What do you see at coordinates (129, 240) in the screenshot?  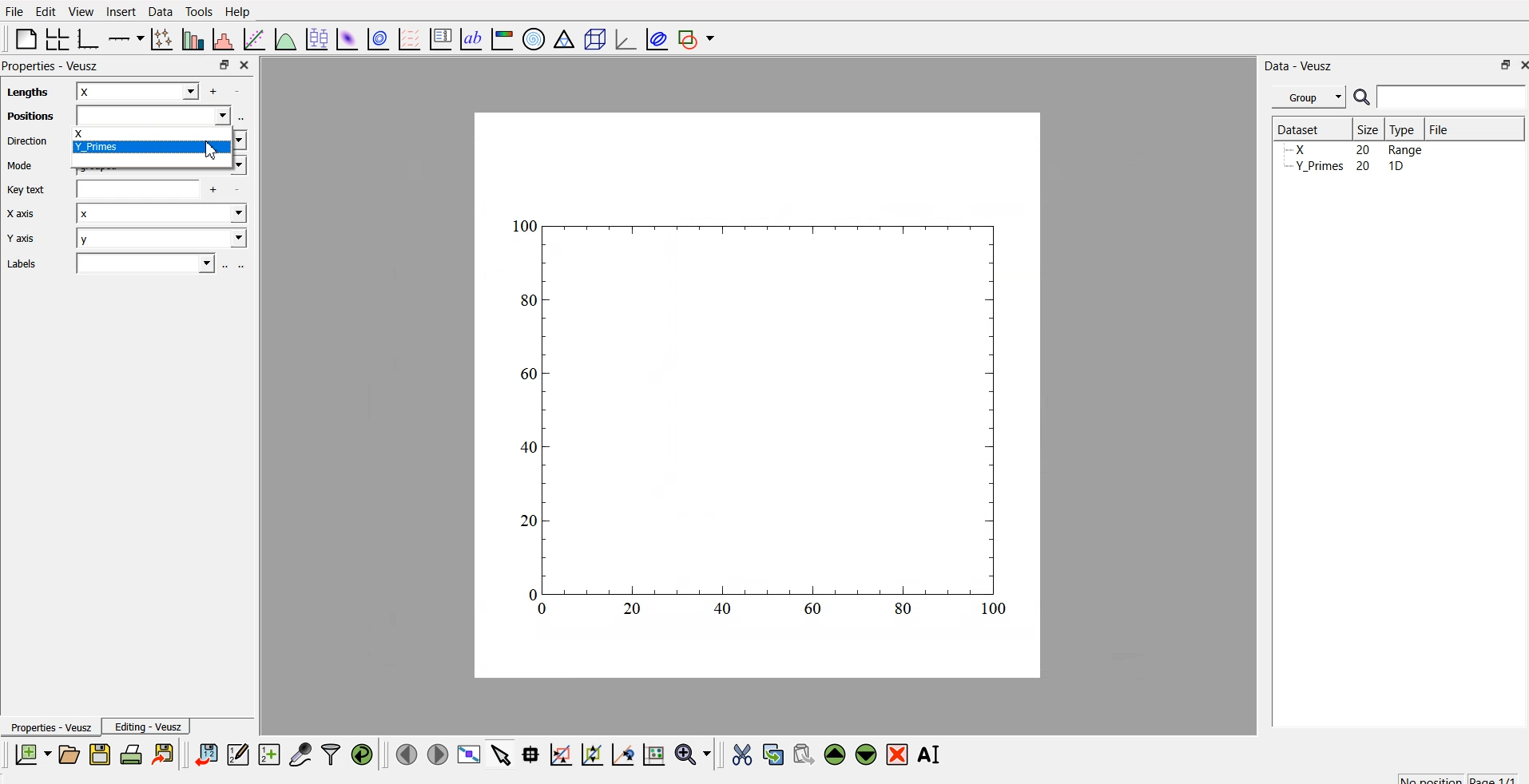 I see `Y axis y` at bounding box center [129, 240].